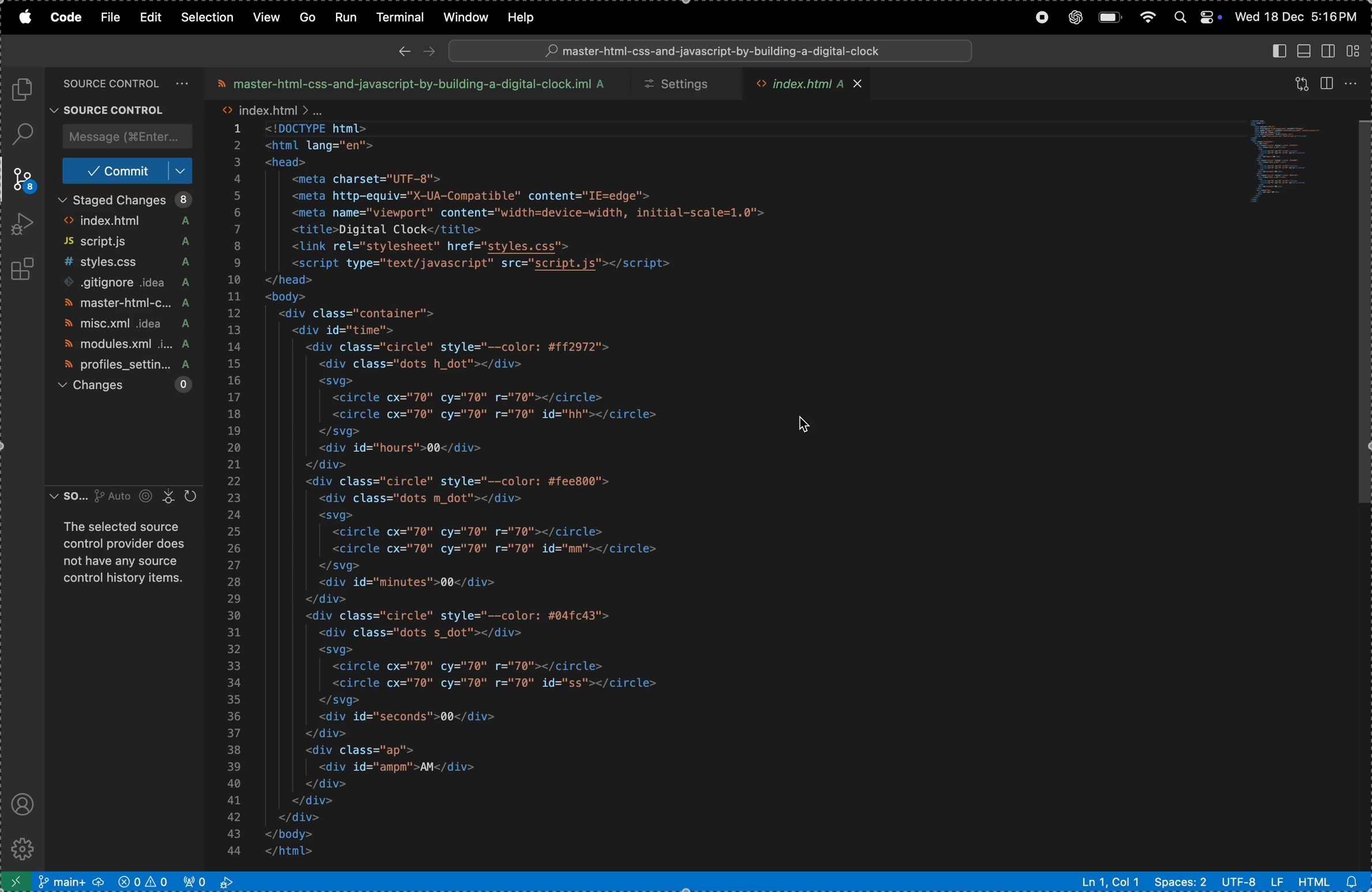 This screenshot has width=1372, height=892. What do you see at coordinates (336, 381) in the screenshot?
I see `<svg>` at bounding box center [336, 381].